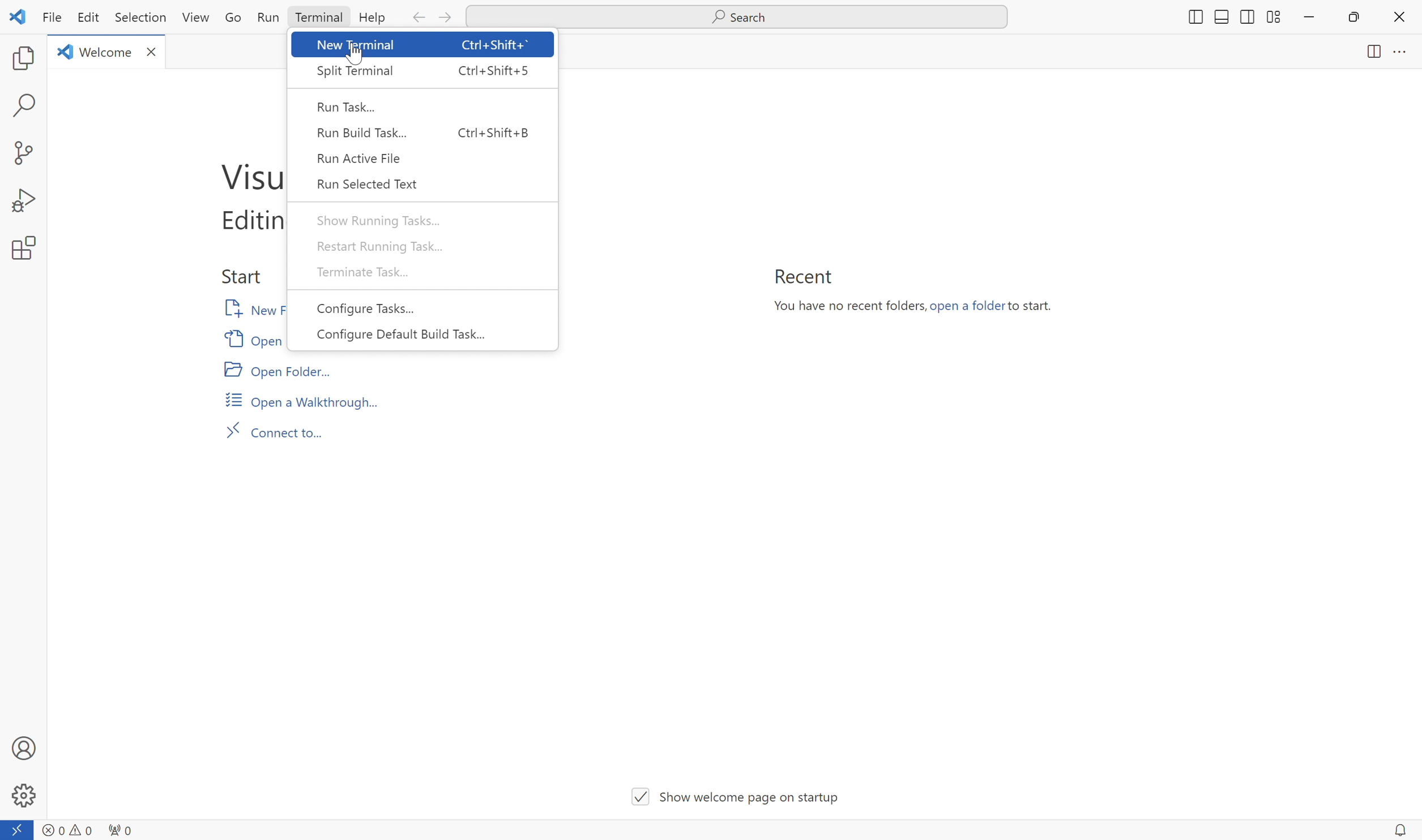  Describe the element at coordinates (381, 244) in the screenshot. I see `Restart Running Task...` at that location.